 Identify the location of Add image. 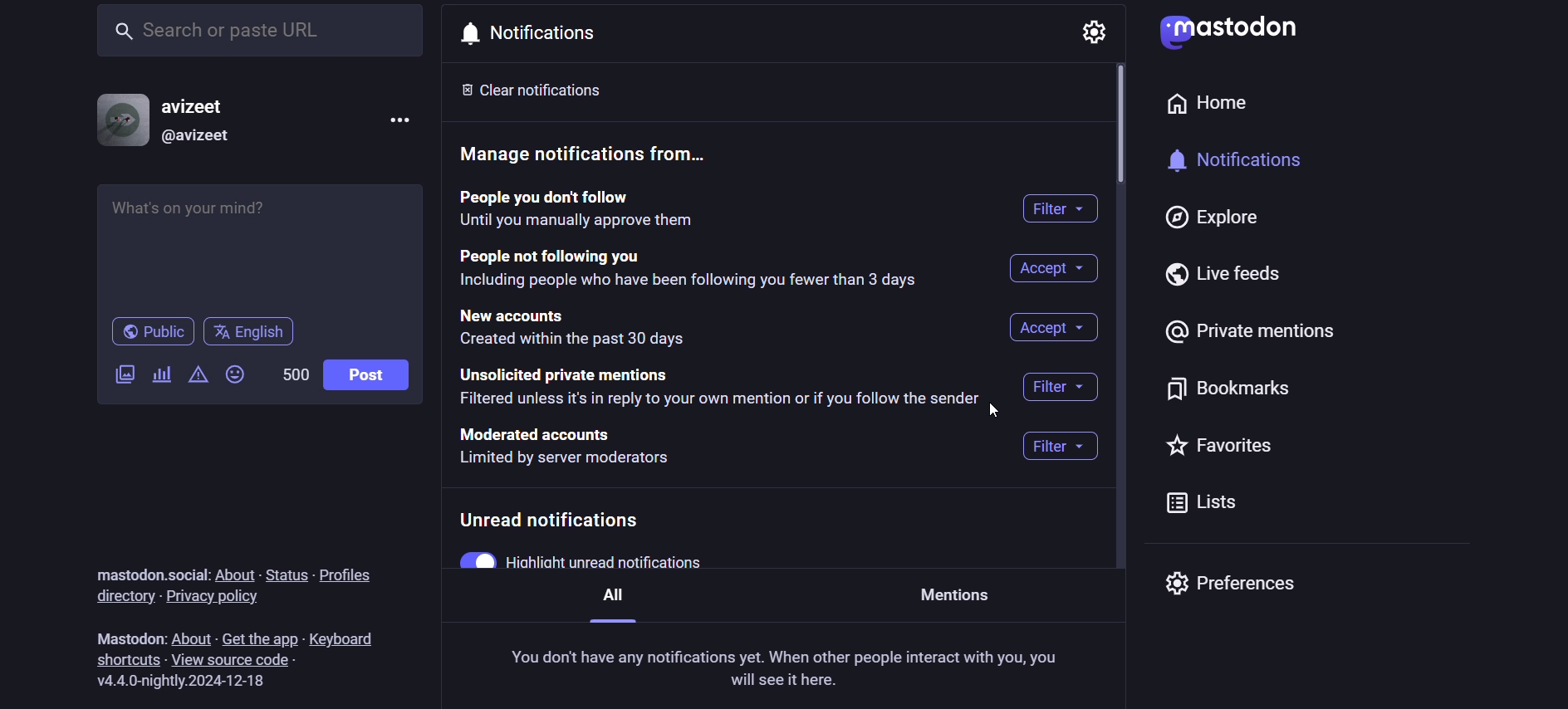
(124, 372).